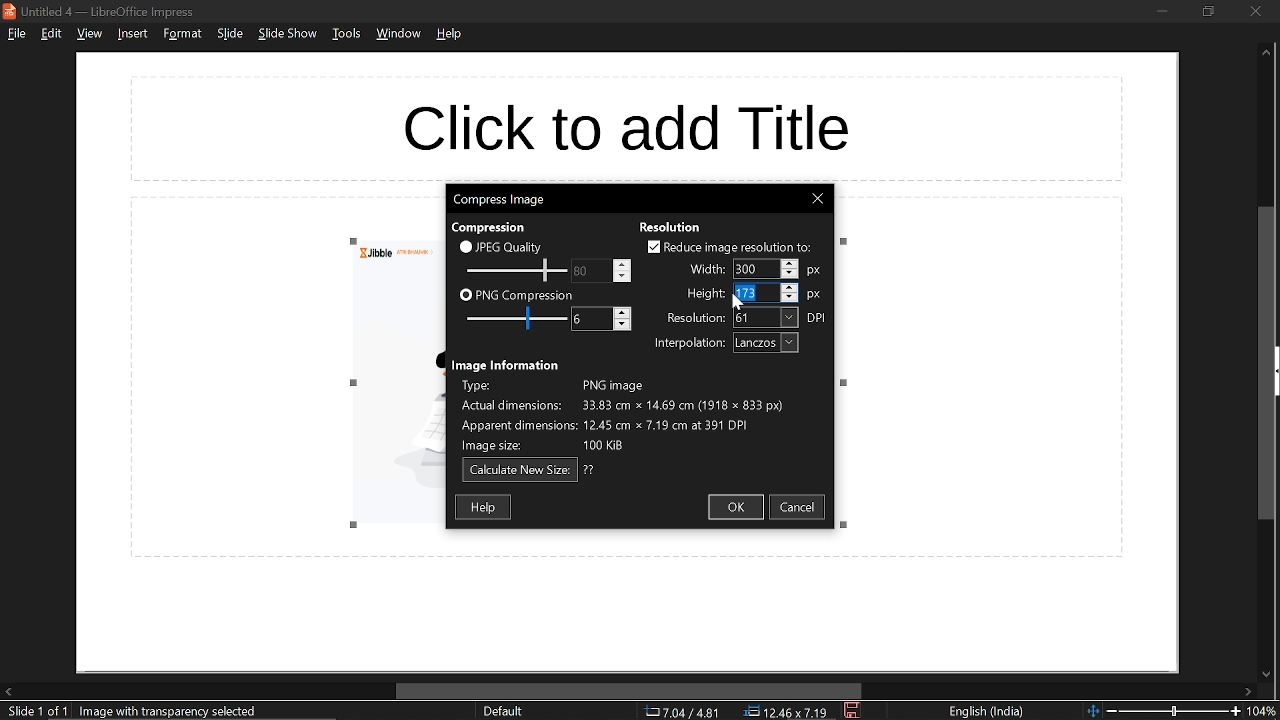  Describe the element at coordinates (450, 38) in the screenshot. I see `help` at that location.